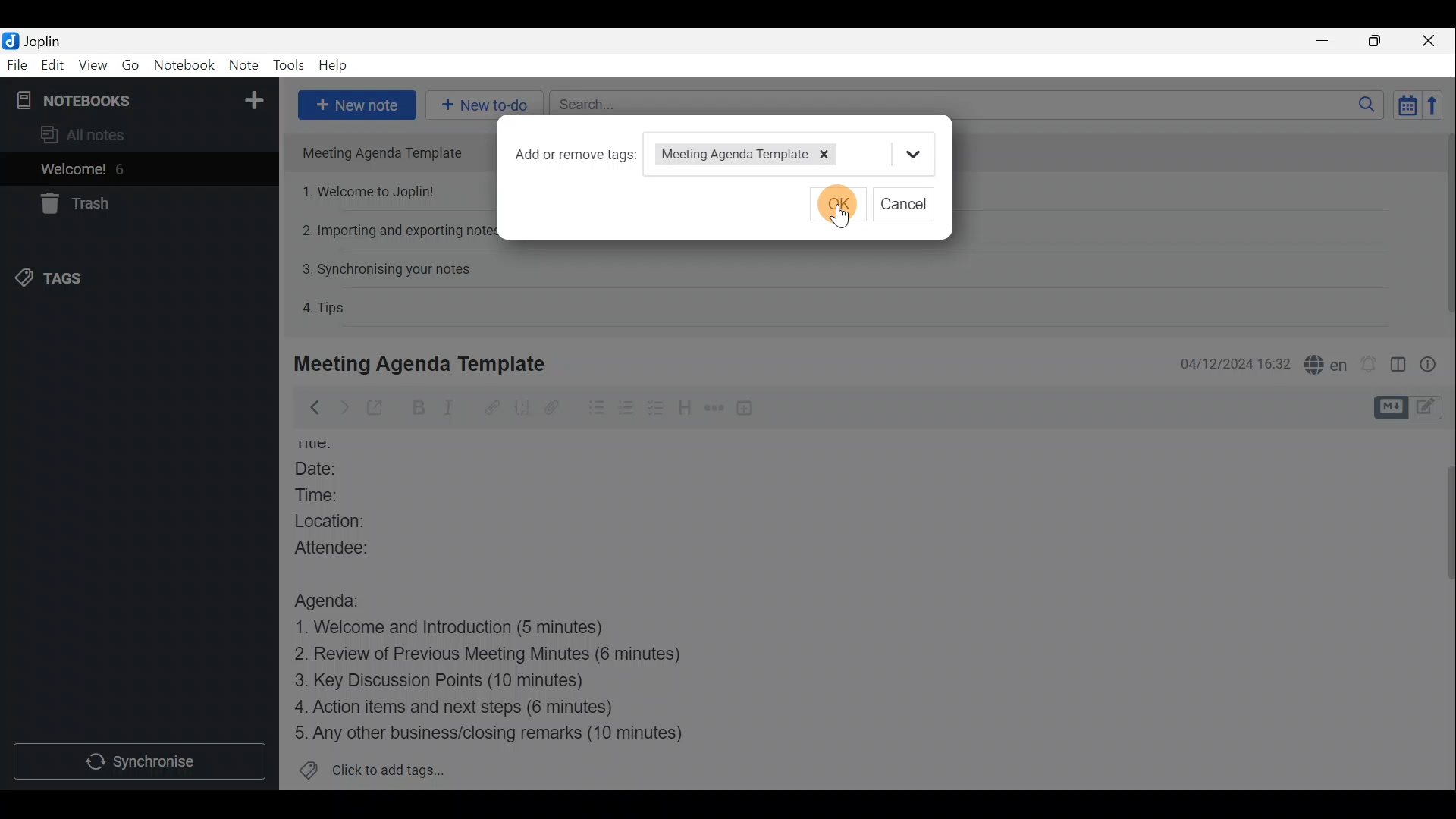 Image resolution: width=1456 pixels, height=819 pixels. Describe the element at coordinates (962, 104) in the screenshot. I see `Search bar` at that location.